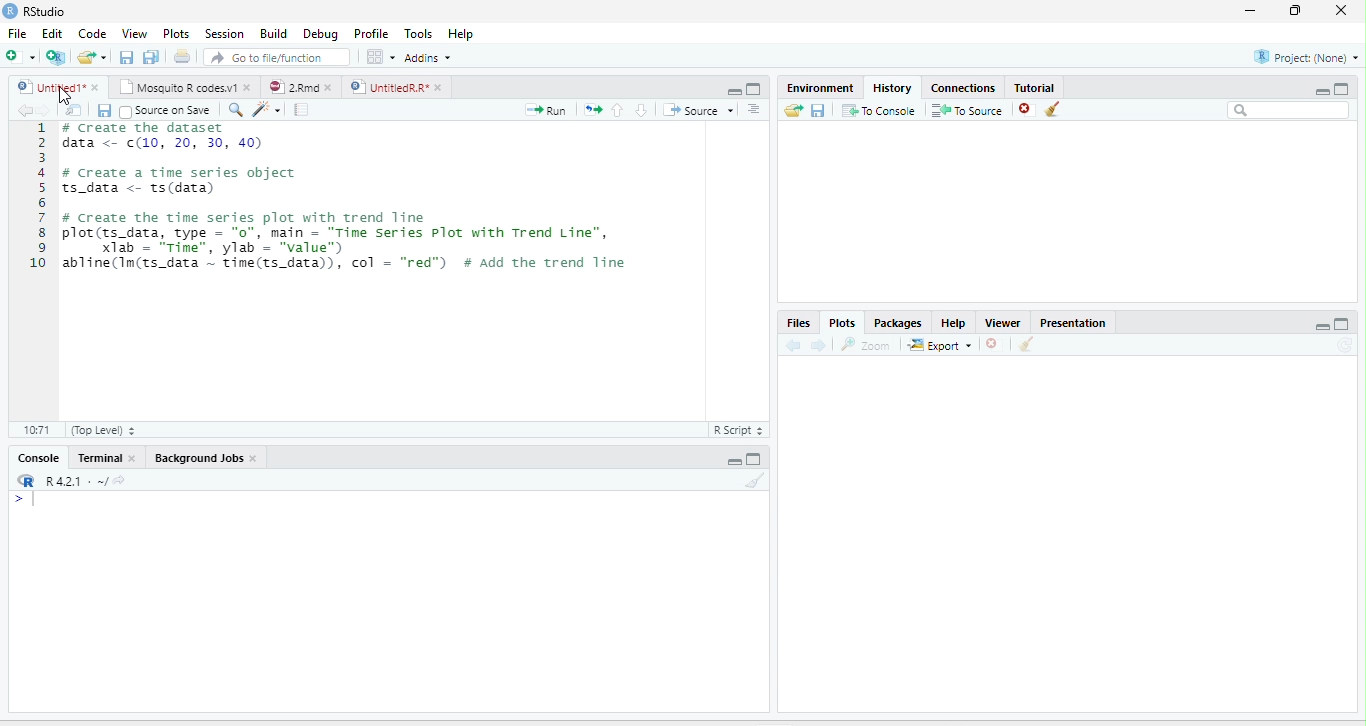 The height and width of the screenshot is (726, 1366). What do you see at coordinates (897, 322) in the screenshot?
I see `Packages` at bounding box center [897, 322].